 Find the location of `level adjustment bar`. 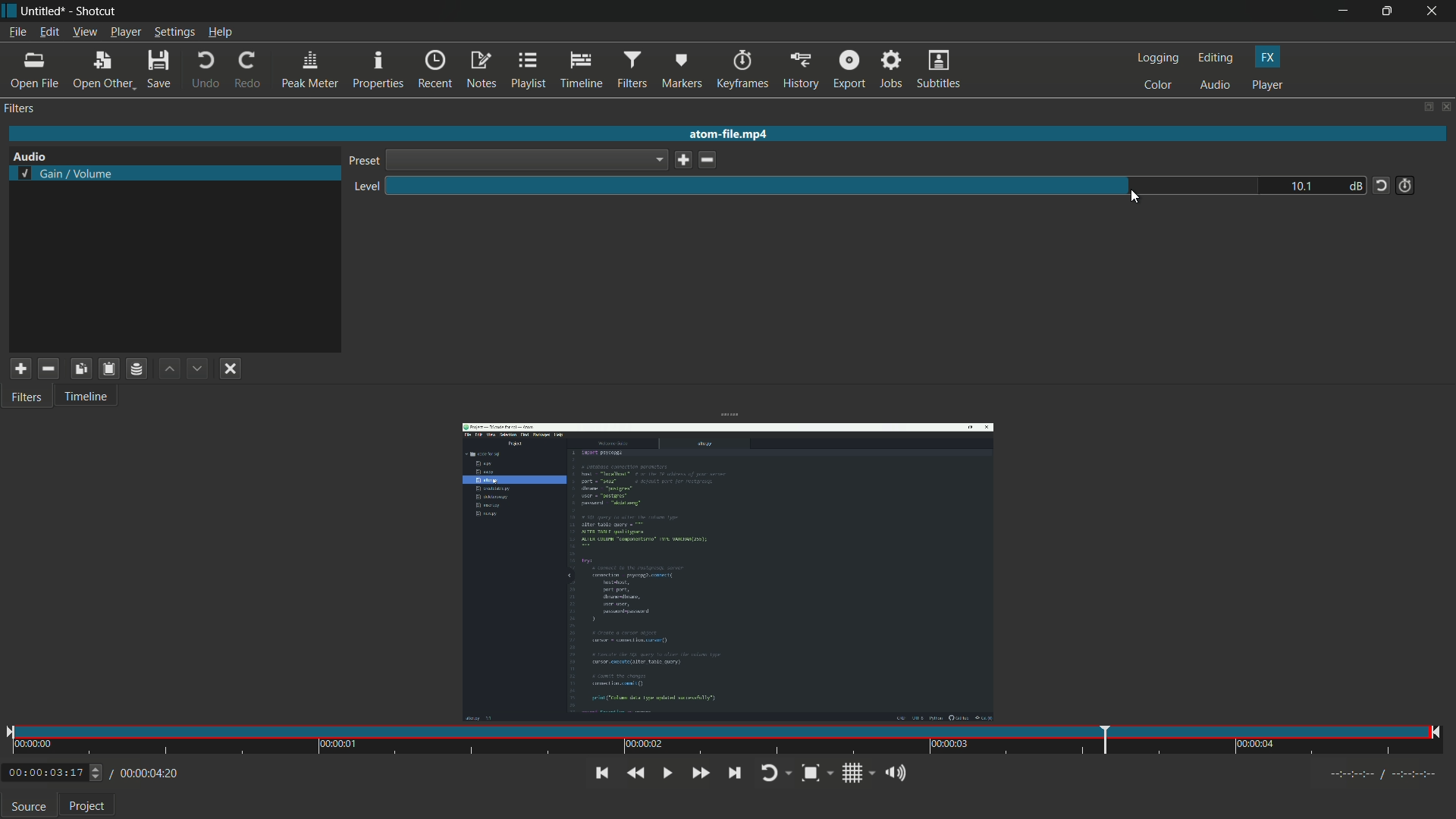

level adjustment bar is located at coordinates (823, 184).